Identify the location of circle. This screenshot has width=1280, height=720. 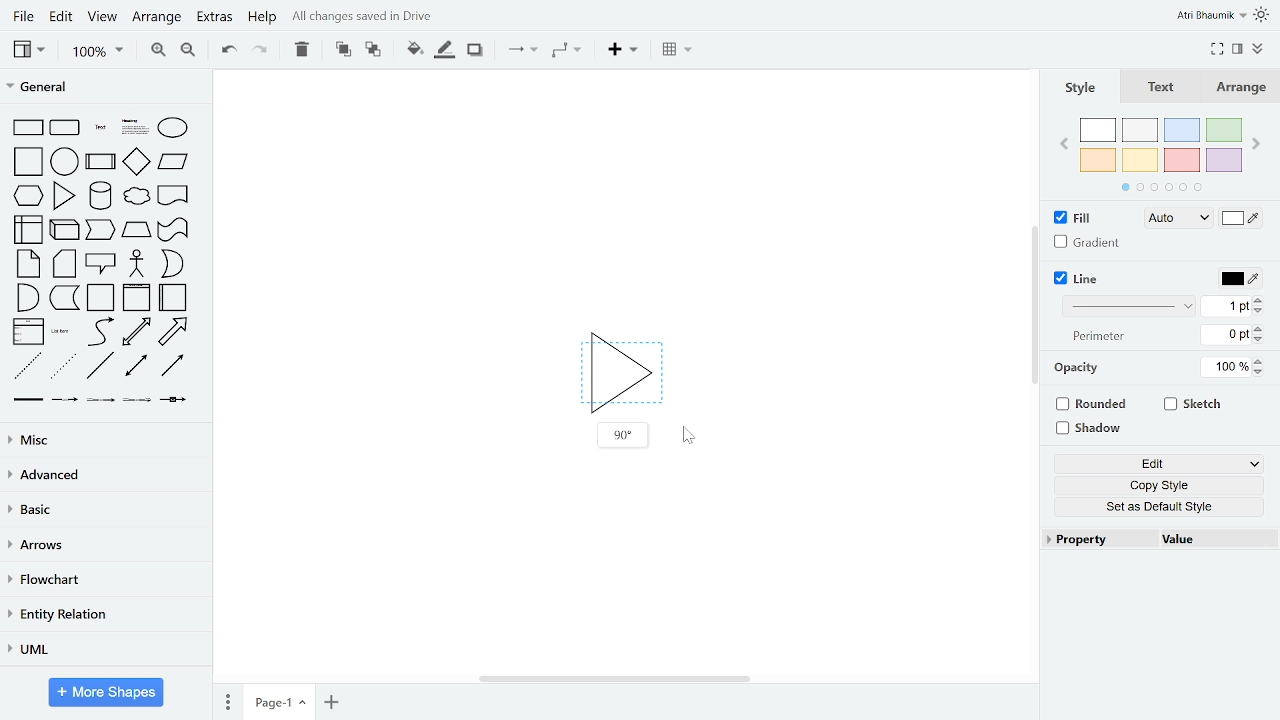
(65, 161).